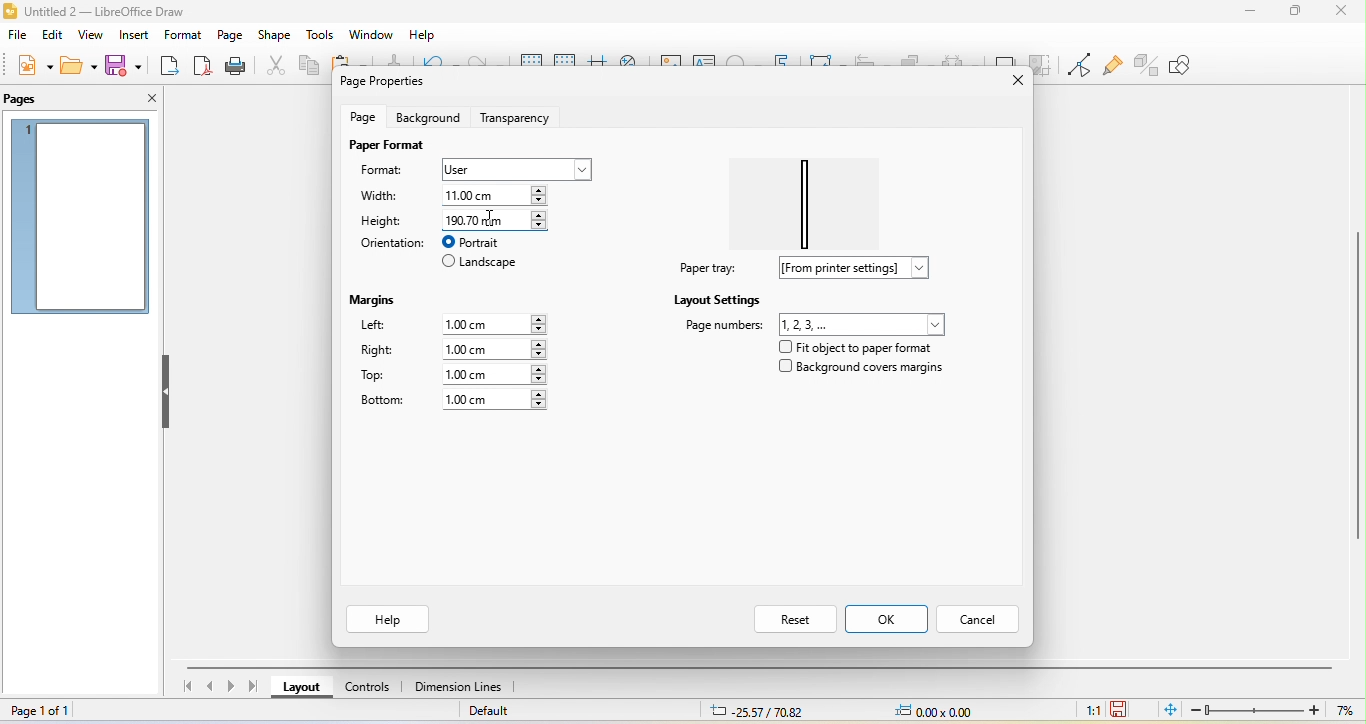 Image resolution: width=1366 pixels, height=724 pixels. What do you see at coordinates (167, 393) in the screenshot?
I see `hide` at bounding box center [167, 393].